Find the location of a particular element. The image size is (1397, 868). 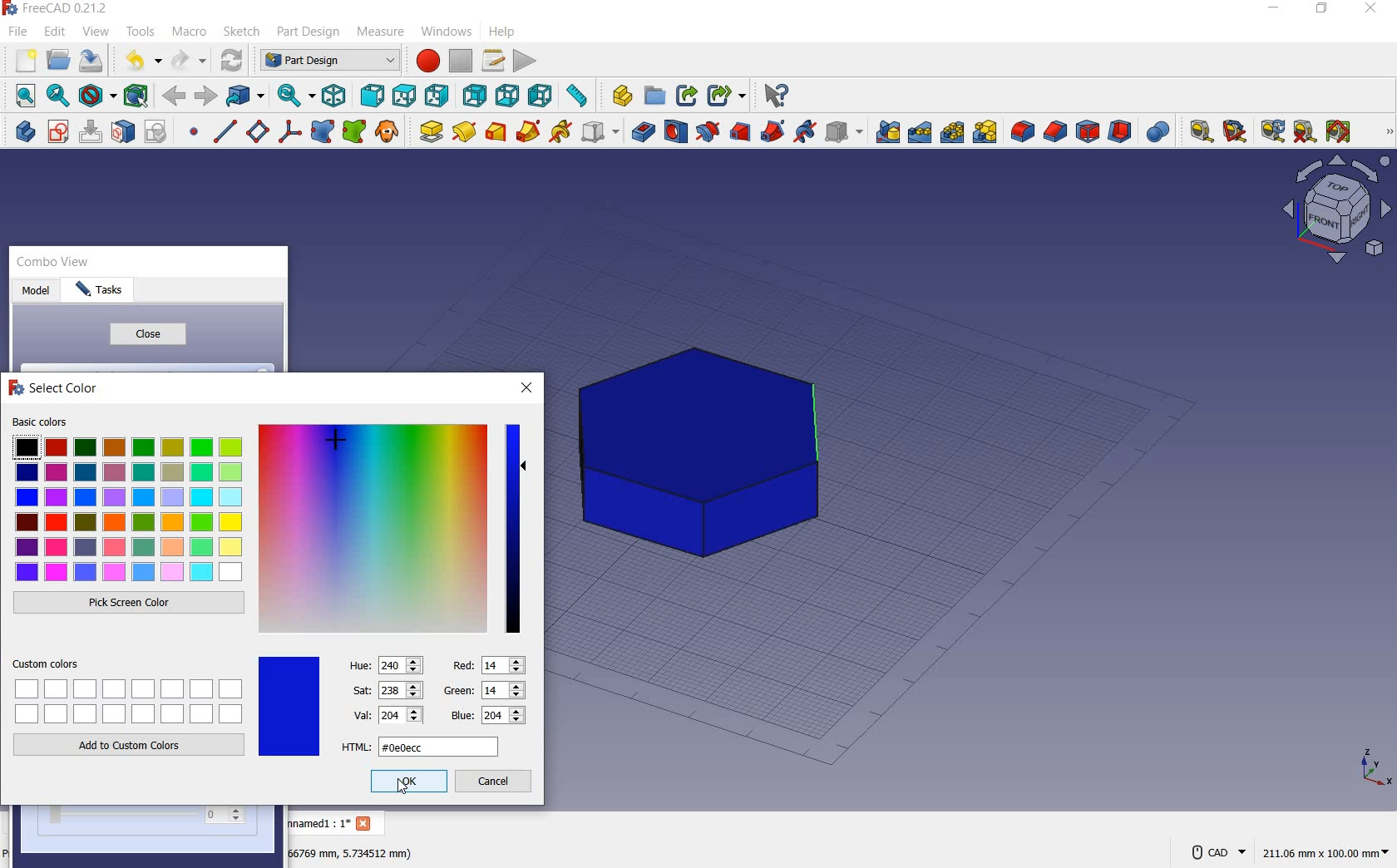

front is located at coordinates (372, 96).